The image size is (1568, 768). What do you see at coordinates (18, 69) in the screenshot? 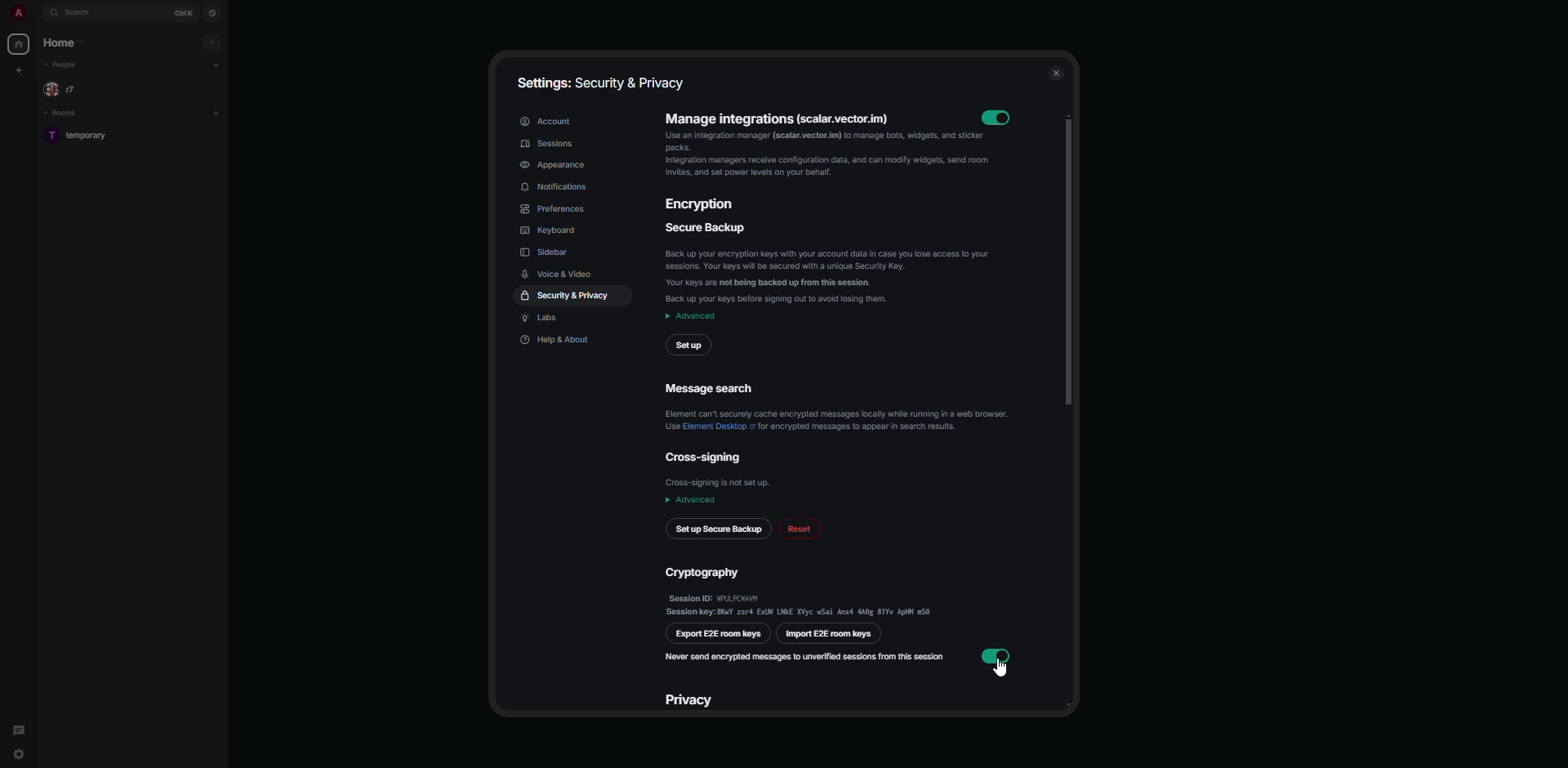
I see `create space` at bounding box center [18, 69].